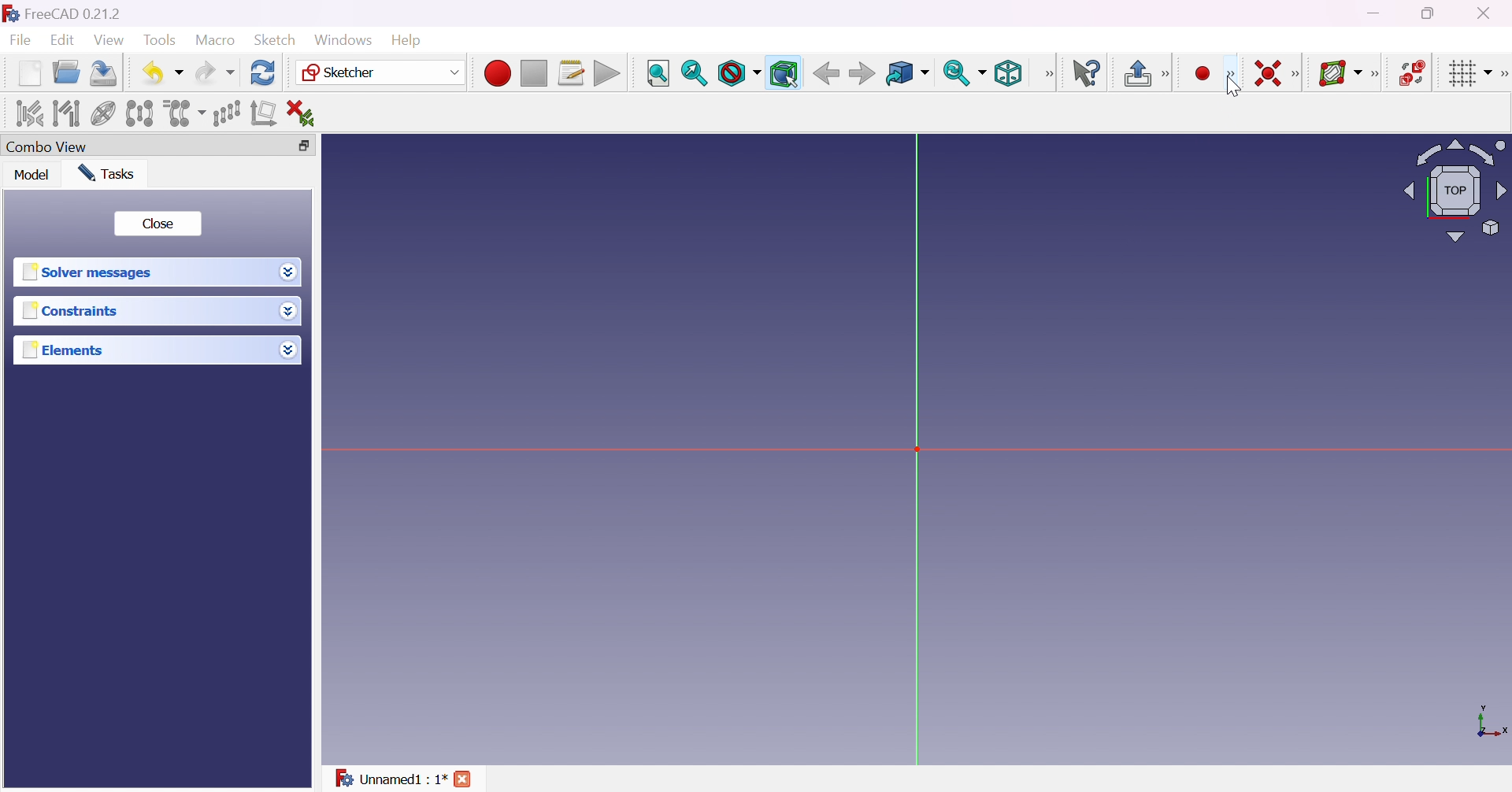  I want to click on Tasks, so click(106, 172).